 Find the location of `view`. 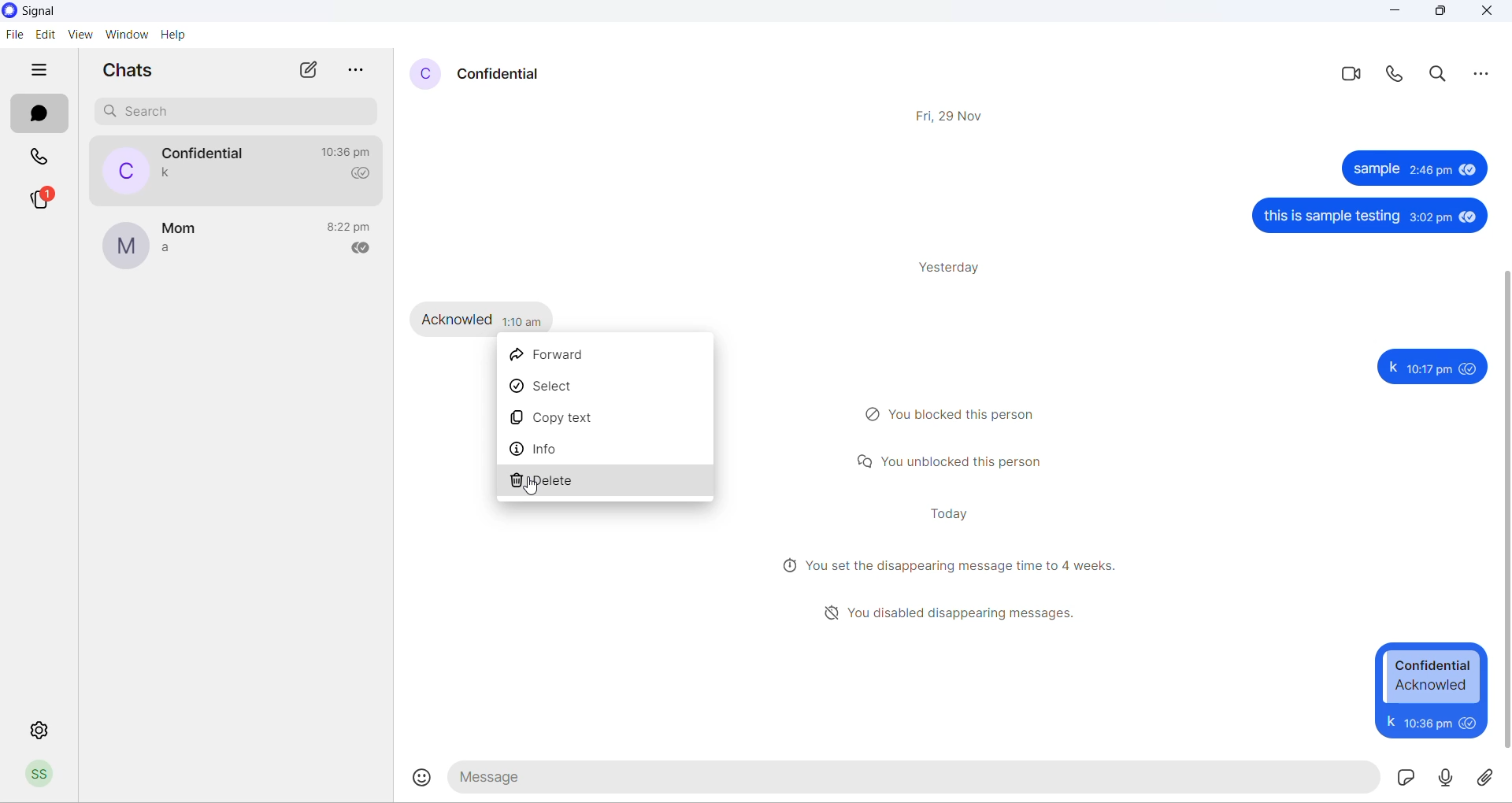

view is located at coordinates (79, 35).